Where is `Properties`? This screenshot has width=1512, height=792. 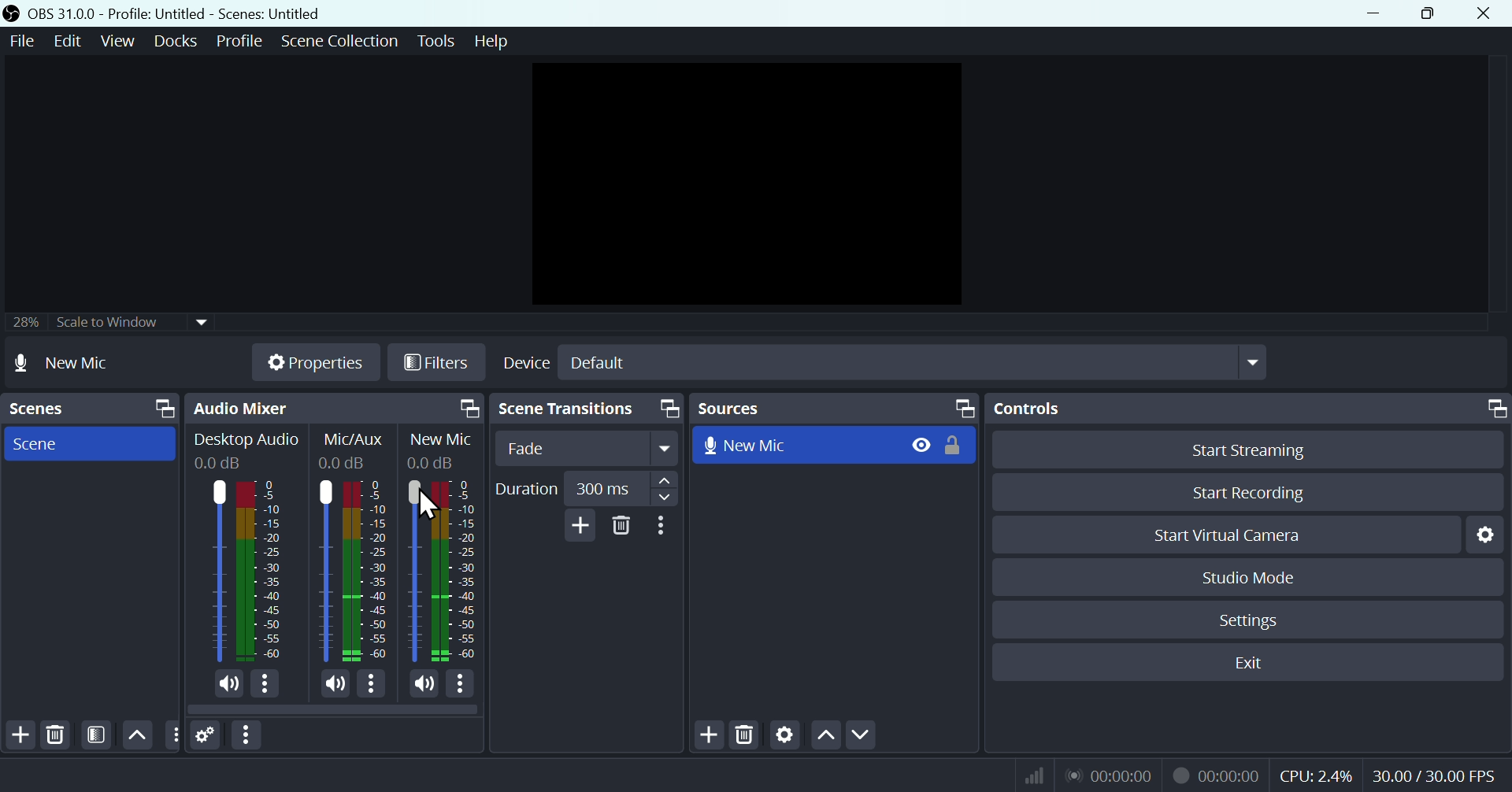 Properties is located at coordinates (314, 362).